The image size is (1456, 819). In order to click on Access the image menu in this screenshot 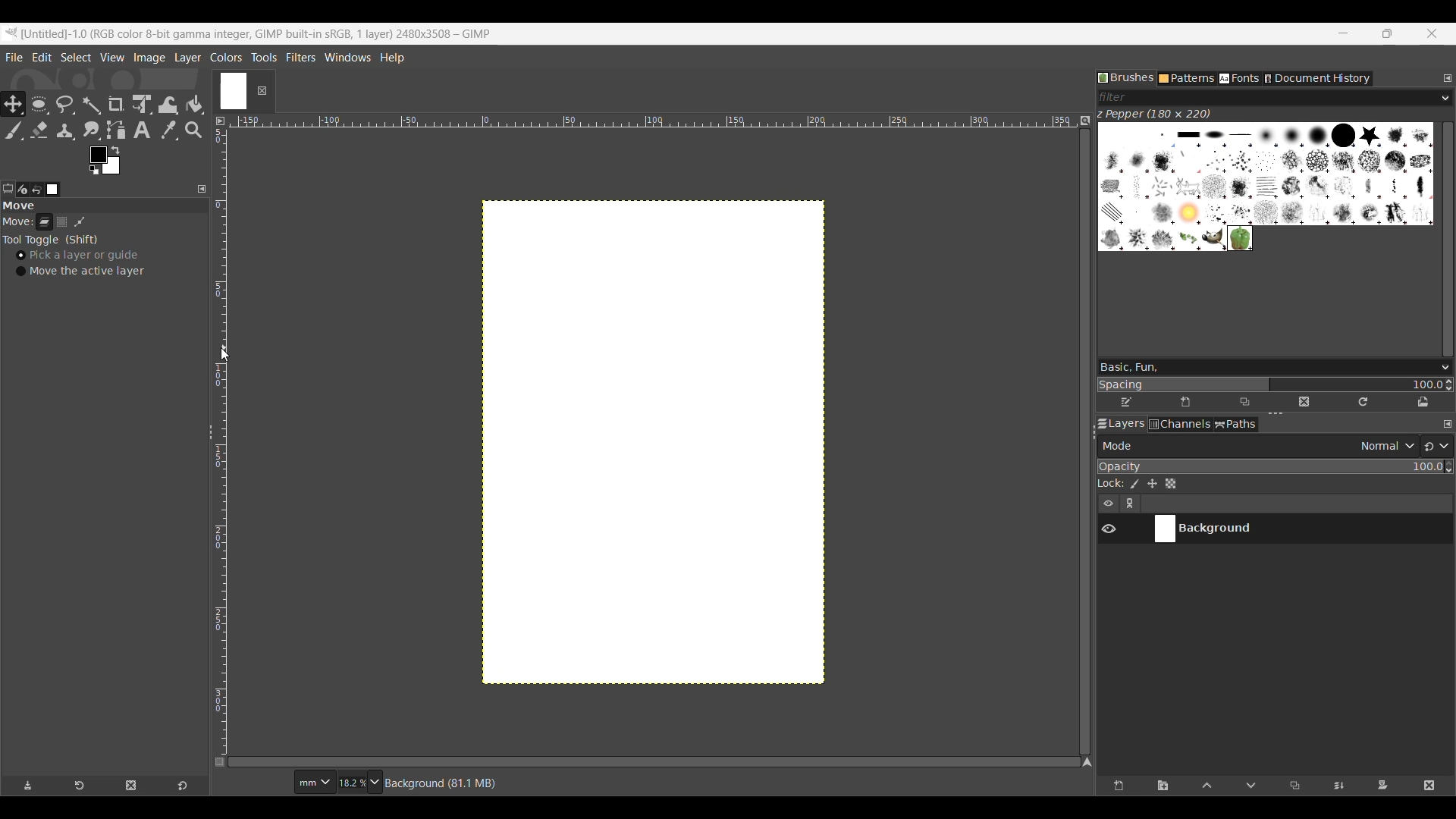, I will do `click(220, 121)`.